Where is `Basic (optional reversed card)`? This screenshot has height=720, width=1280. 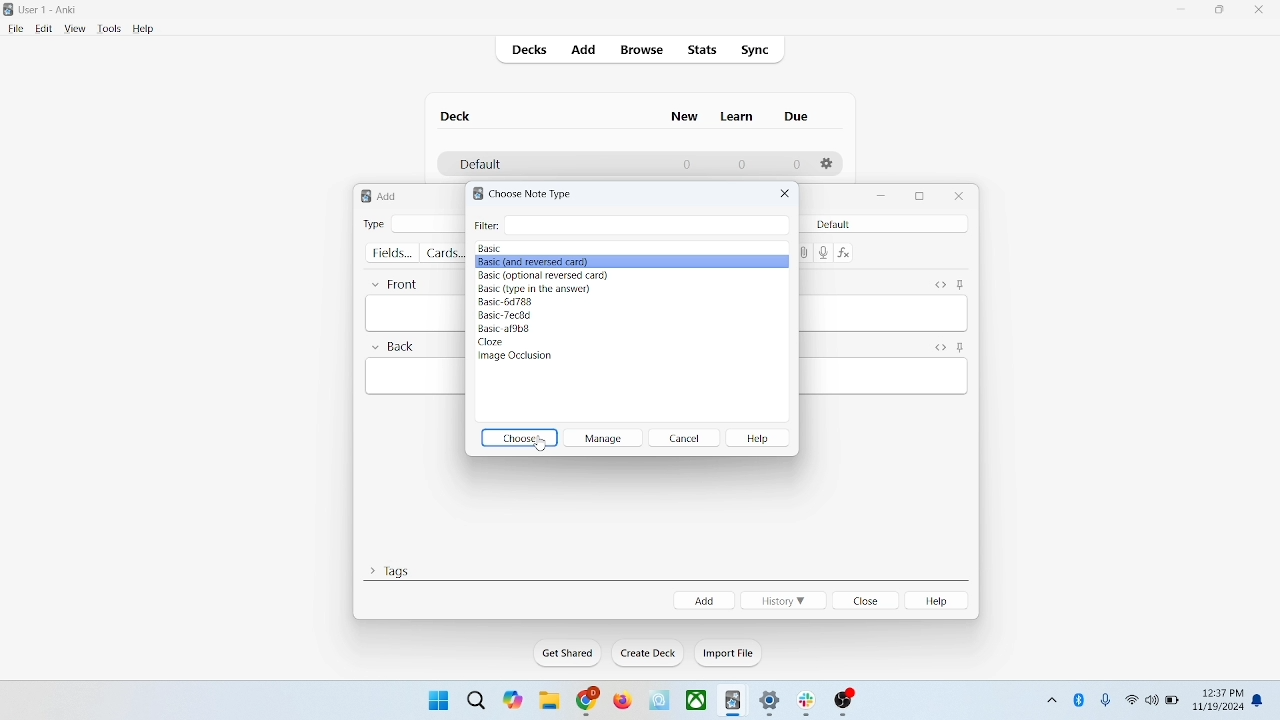 Basic (optional reversed card) is located at coordinates (545, 275).